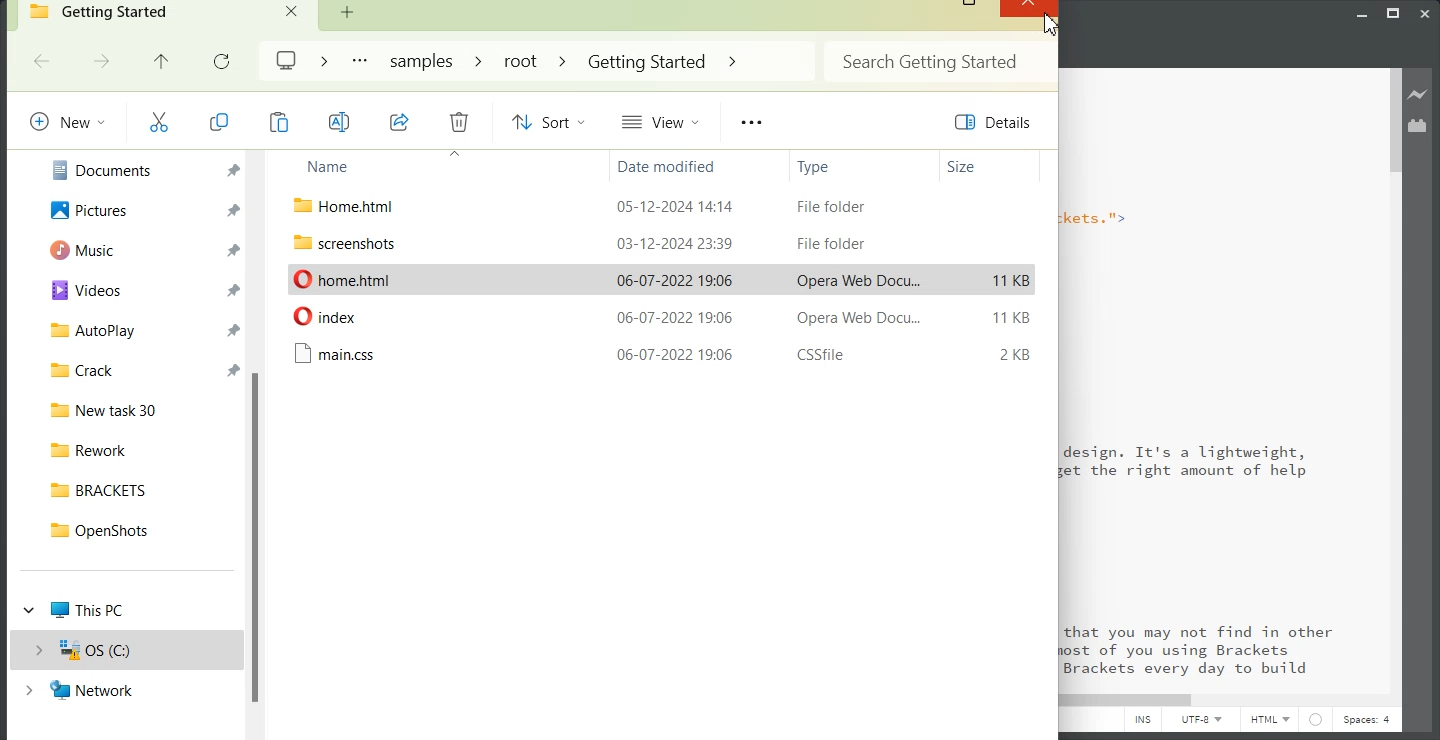 The image size is (1440, 740). I want to click on Name, so click(353, 167).